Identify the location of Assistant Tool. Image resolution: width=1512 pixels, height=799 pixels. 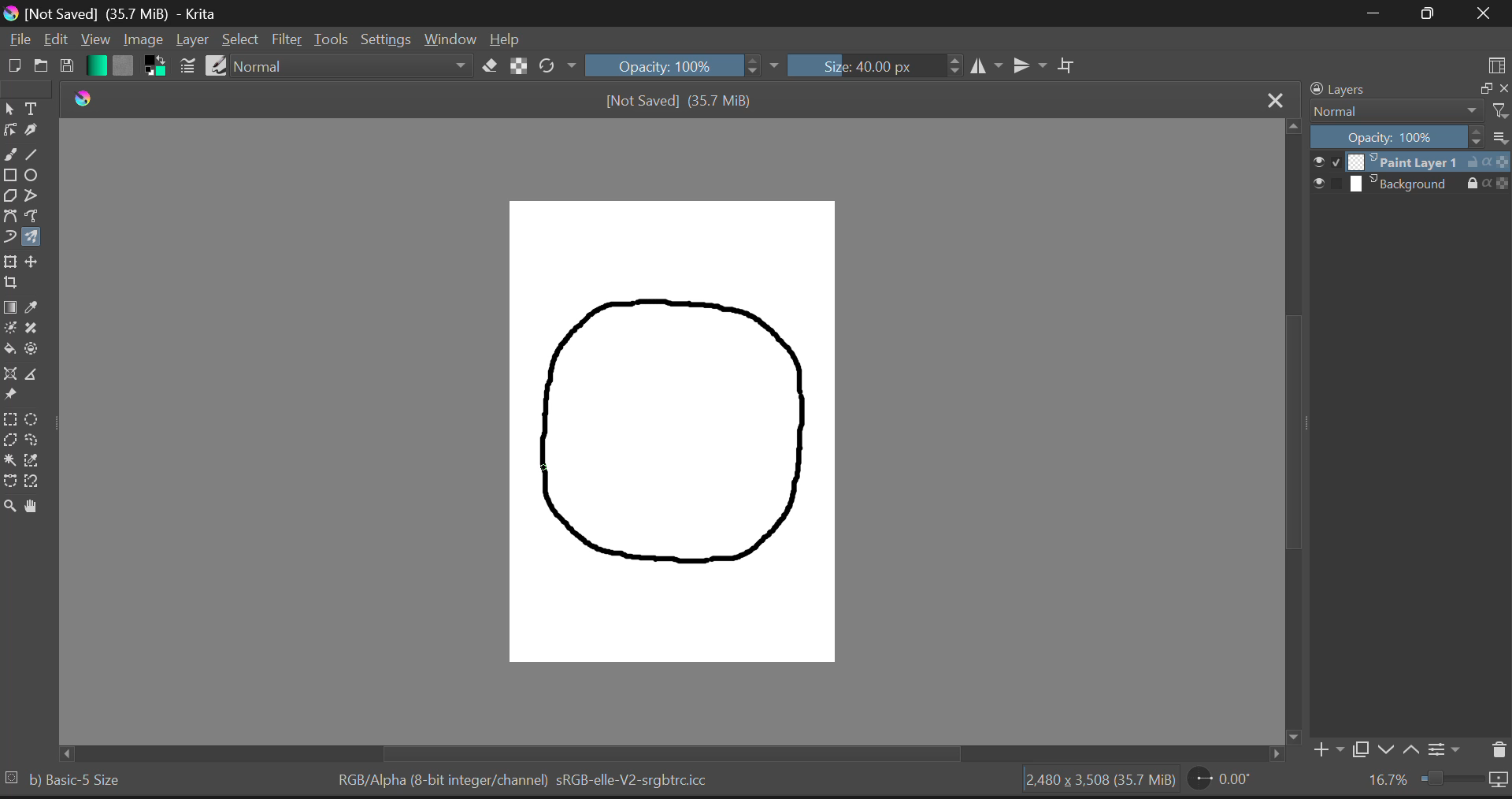
(9, 374).